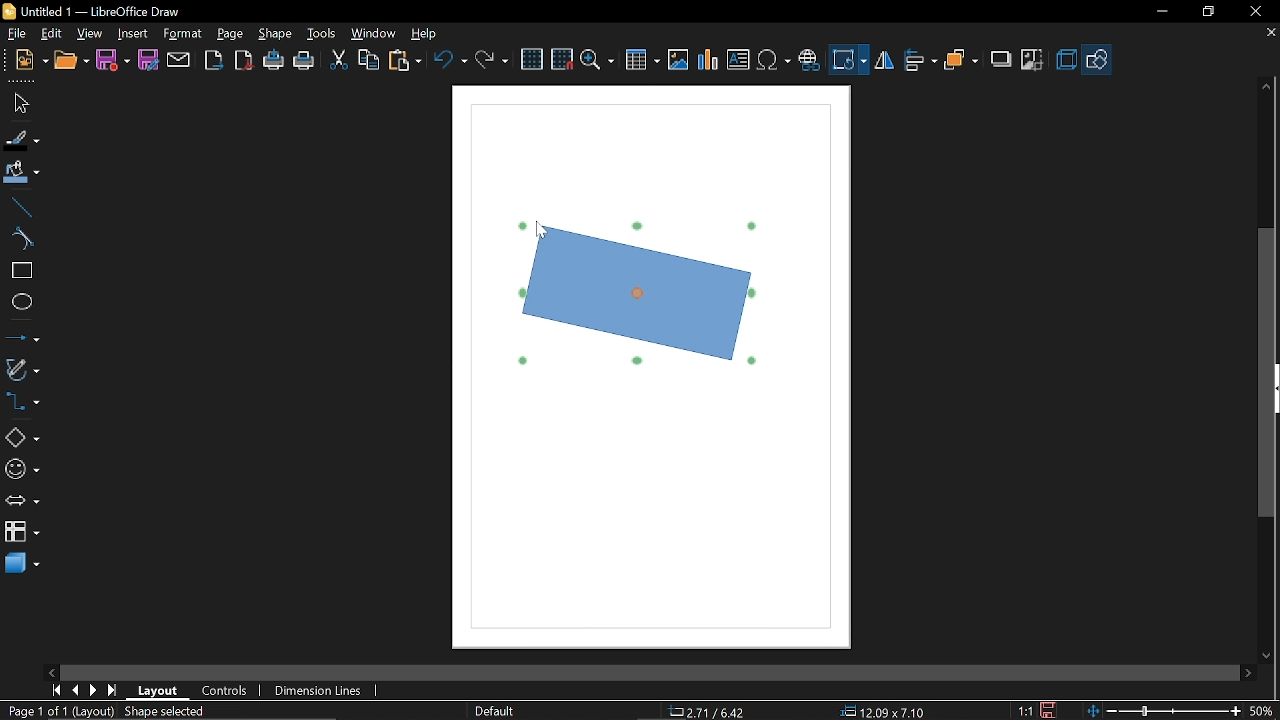 Image resolution: width=1280 pixels, height=720 pixels. What do you see at coordinates (1033, 58) in the screenshot?
I see `crop` at bounding box center [1033, 58].